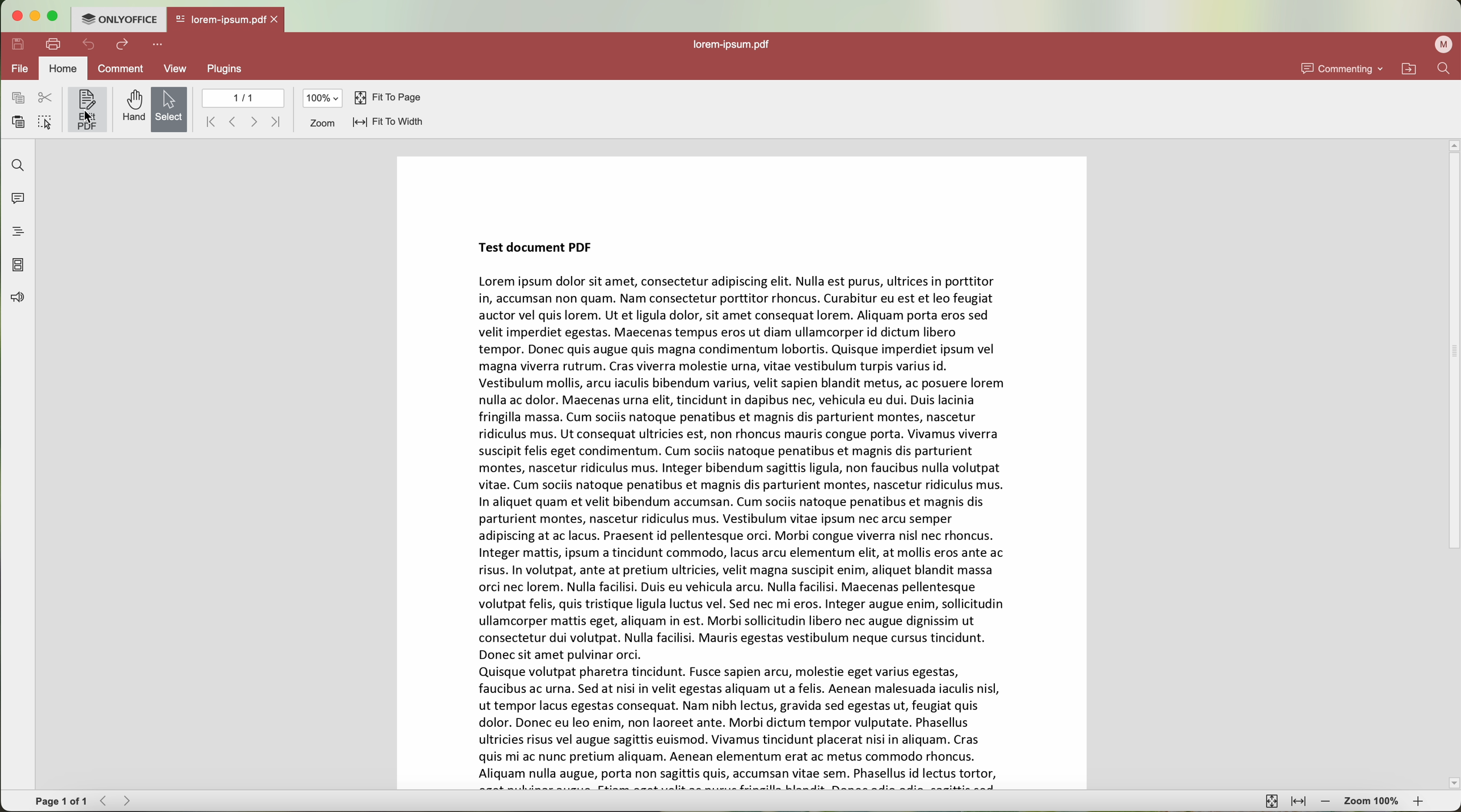  Describe the element at coordinates (19, 124) in the screenshot. I see `paste` at that location.